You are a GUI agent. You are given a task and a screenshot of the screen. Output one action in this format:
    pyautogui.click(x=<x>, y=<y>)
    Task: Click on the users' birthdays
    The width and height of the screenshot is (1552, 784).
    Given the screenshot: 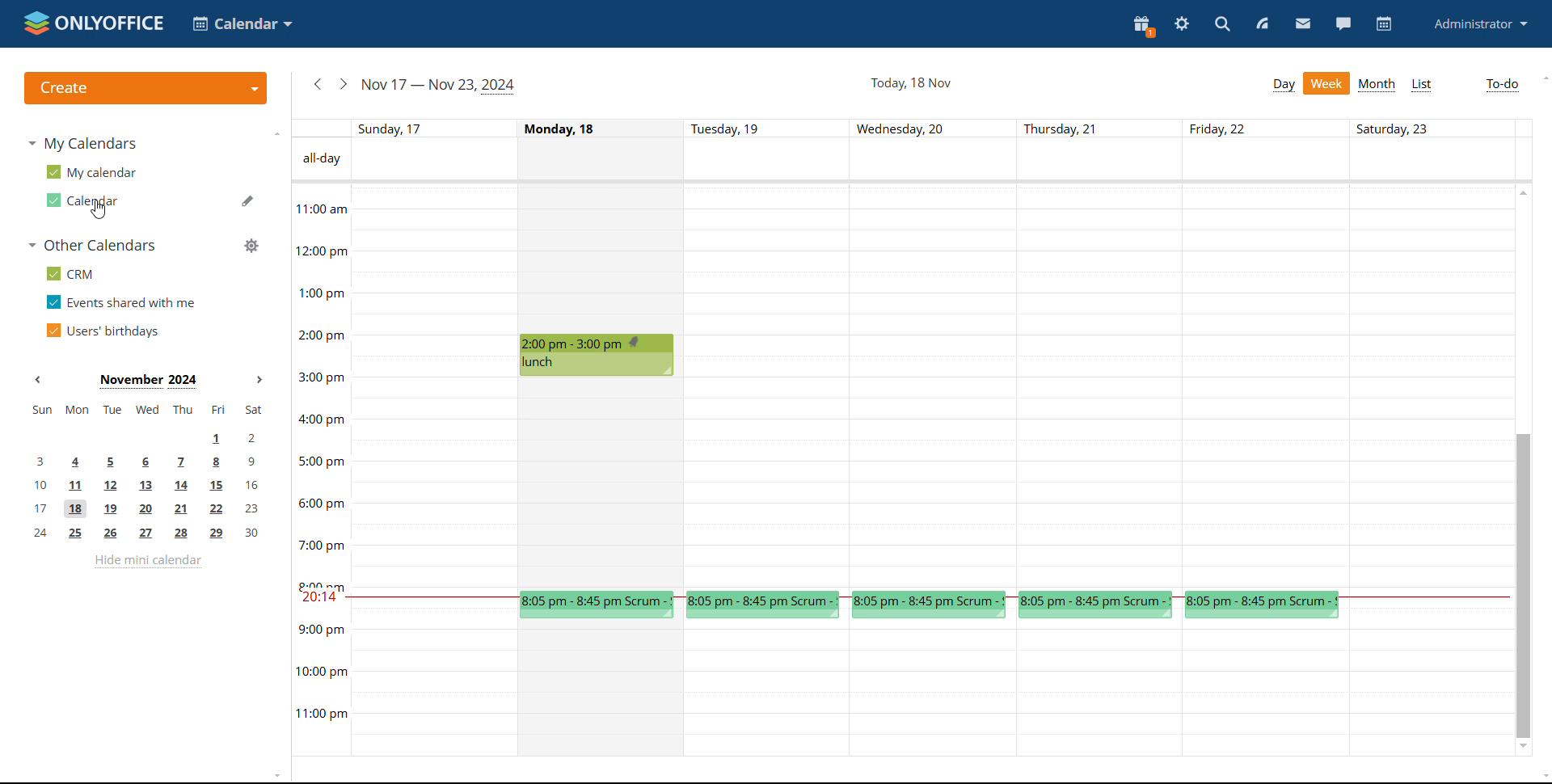 What is the action you would take?
    pyautogui.click(x=103, y=331)
    